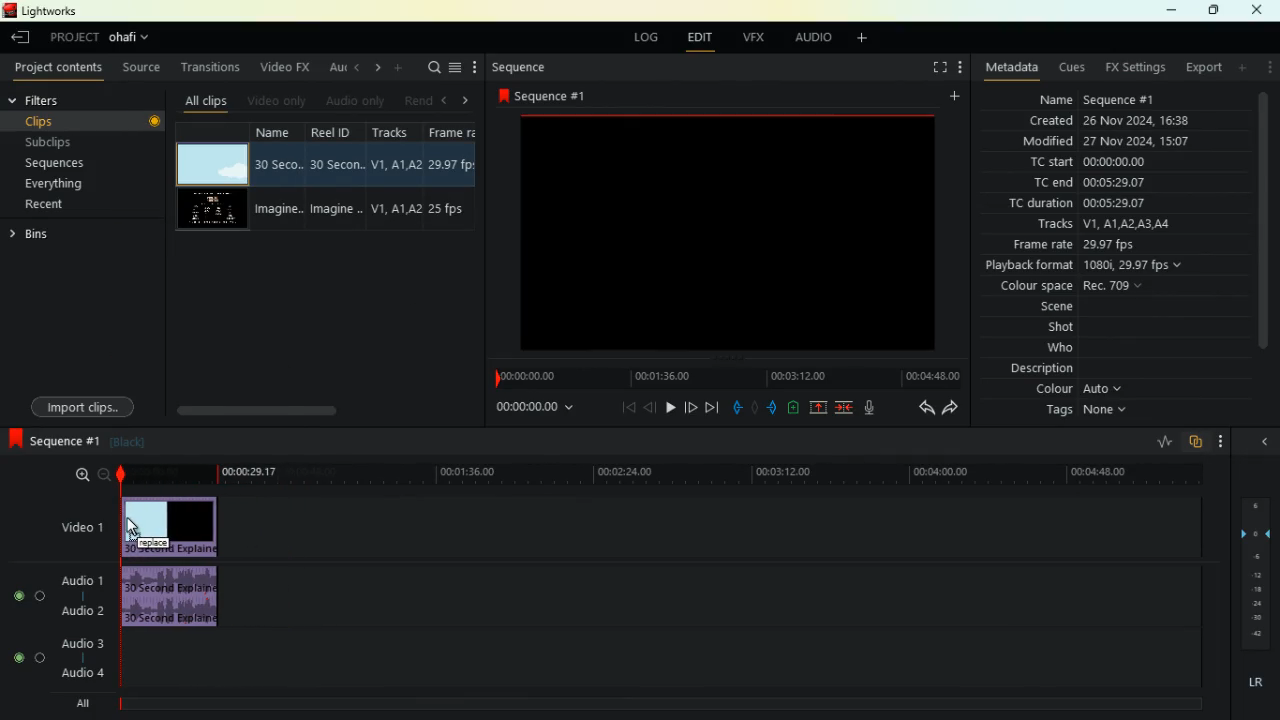 The height and width of the screenshot is (720, 1280). I want to click on tracksd, so click(396, 133).